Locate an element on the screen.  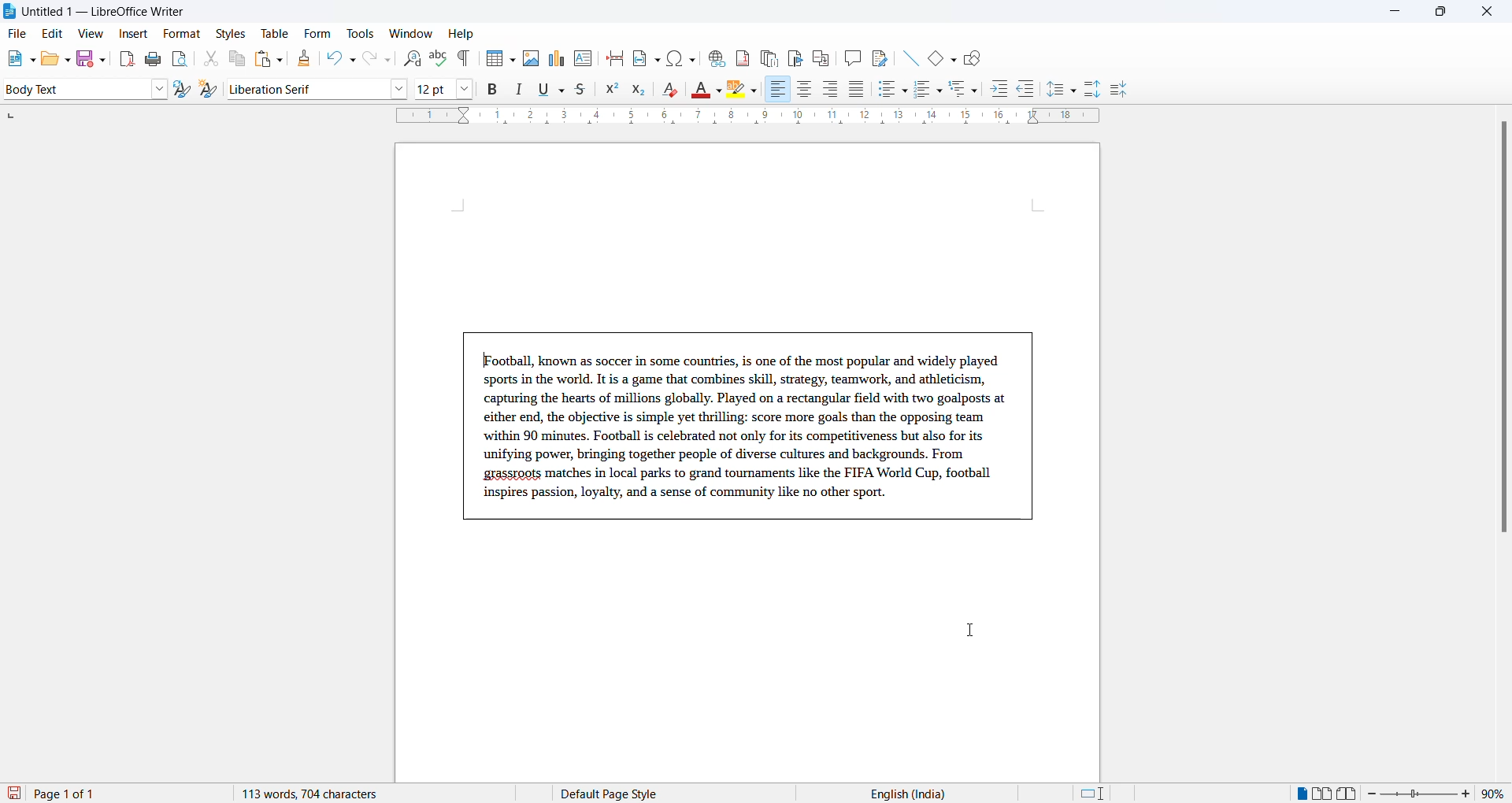
insert comments is located at coordinates (849, 57).